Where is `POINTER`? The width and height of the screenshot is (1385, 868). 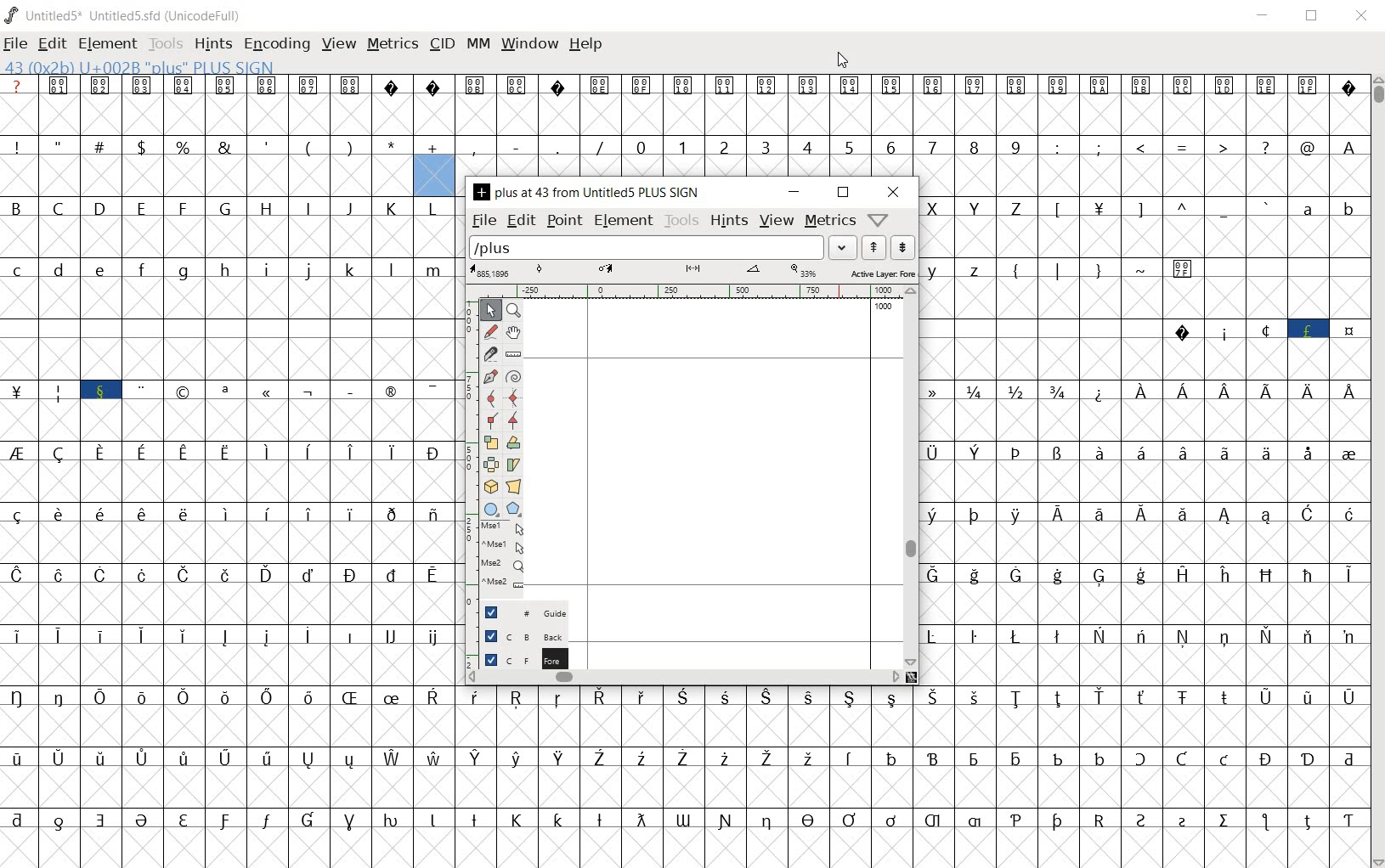
POINTER is located at coordinates (489, 311).